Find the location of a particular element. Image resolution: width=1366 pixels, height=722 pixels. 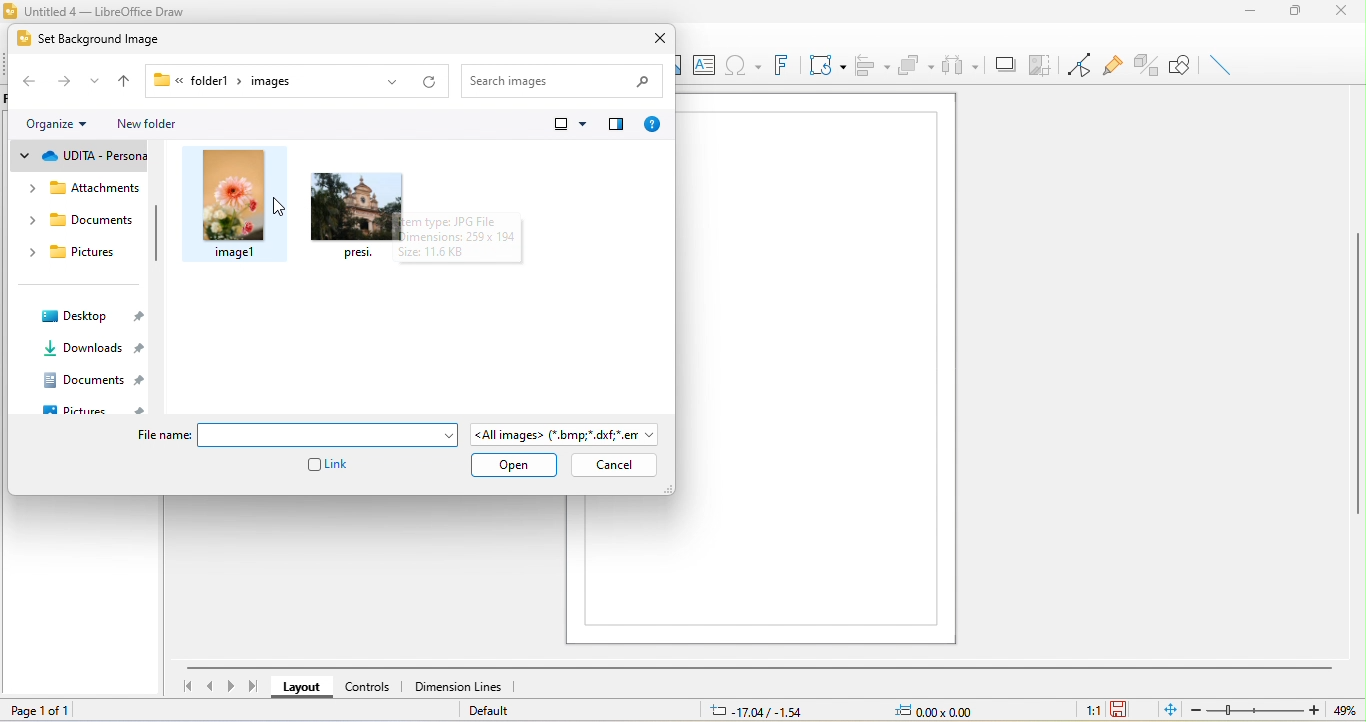

fit to the current page is located at coordinates (1167, 710).